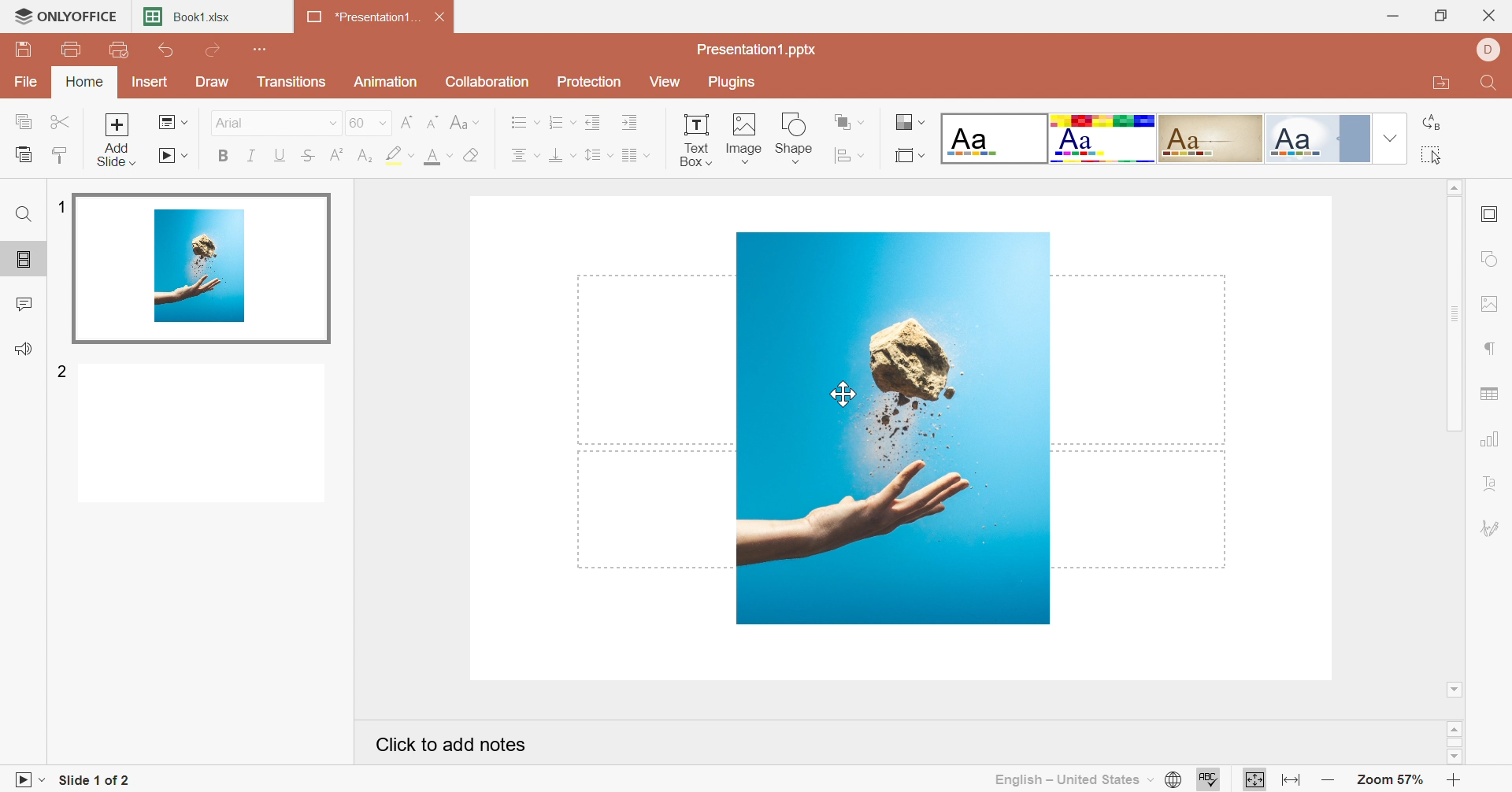  I want to click on Spell checking, so click(1204, 783).